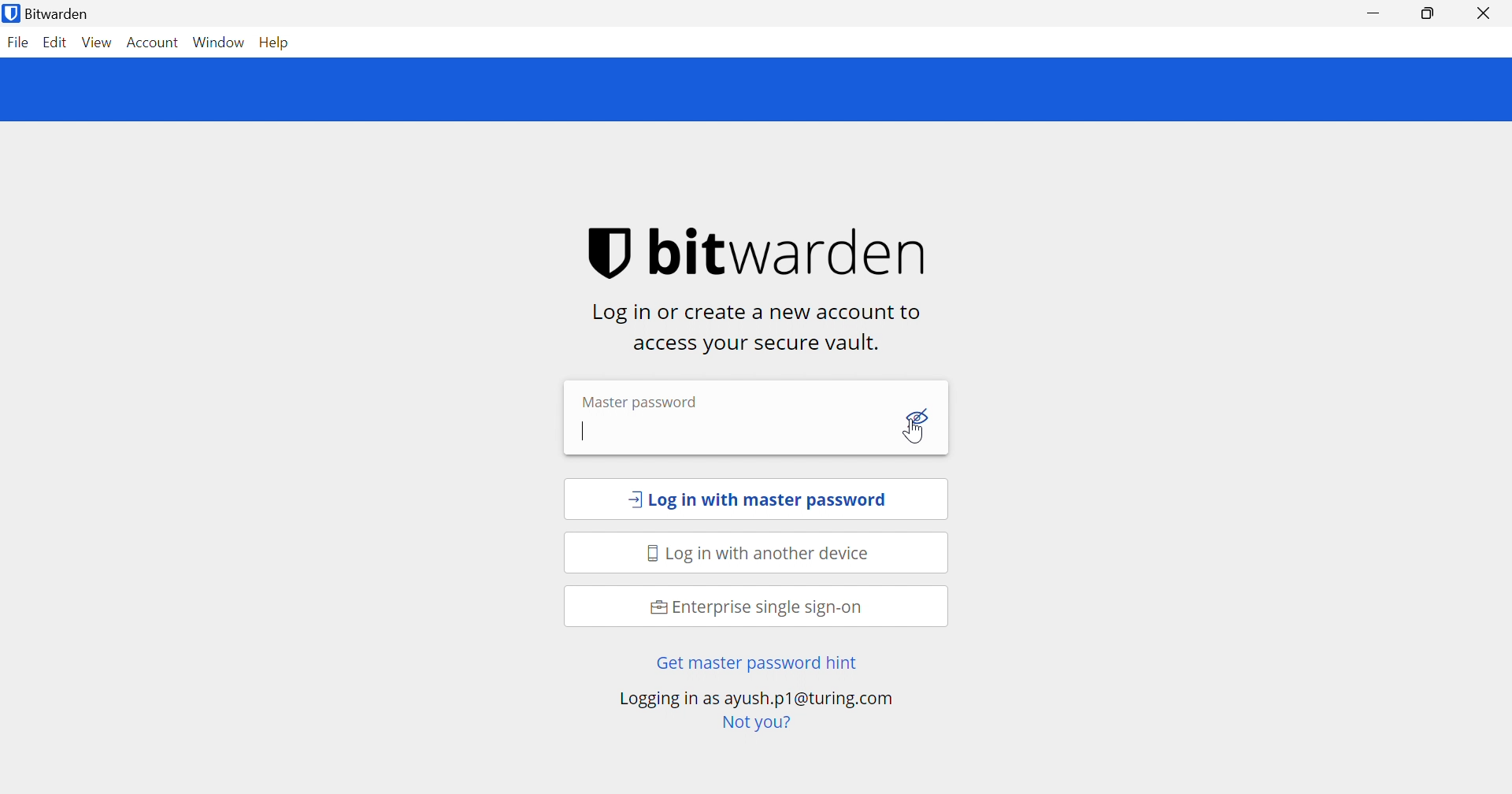 Image resolution: width=1512 pixels, height=794 pixels. What do you see at coordinates (754, 664) in the screenshot?
I see `Get master password hint` at bounding box center [754, 664].